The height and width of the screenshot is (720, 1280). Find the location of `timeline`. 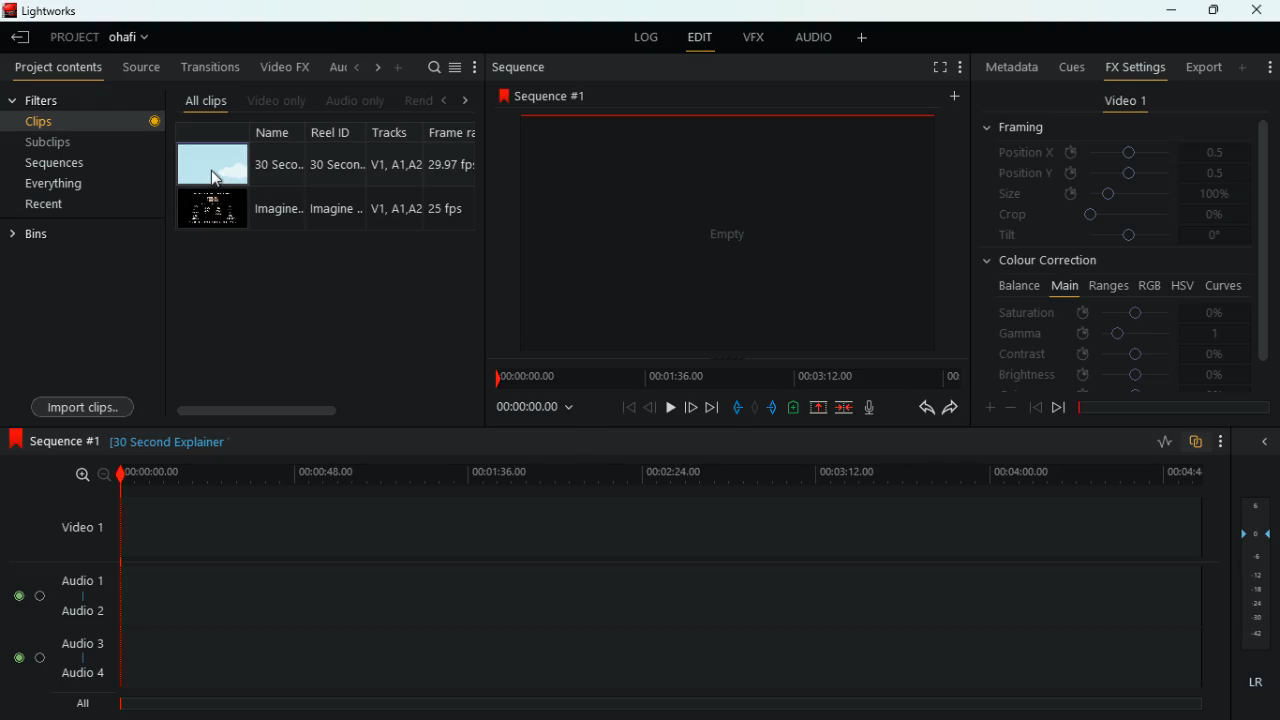

timeline is located at coordinates (725, 377).